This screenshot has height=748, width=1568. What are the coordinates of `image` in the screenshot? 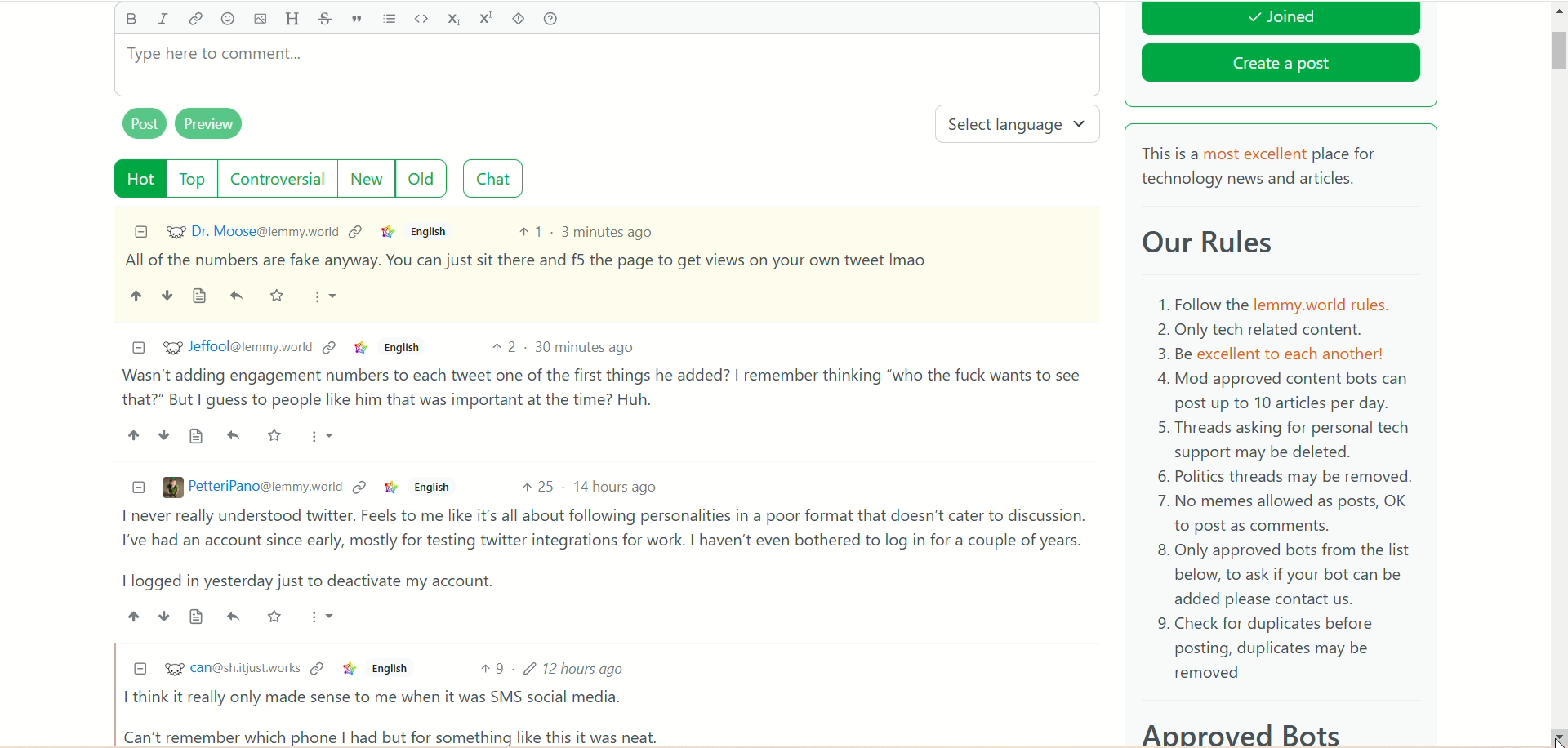 It's located at (259, 20).